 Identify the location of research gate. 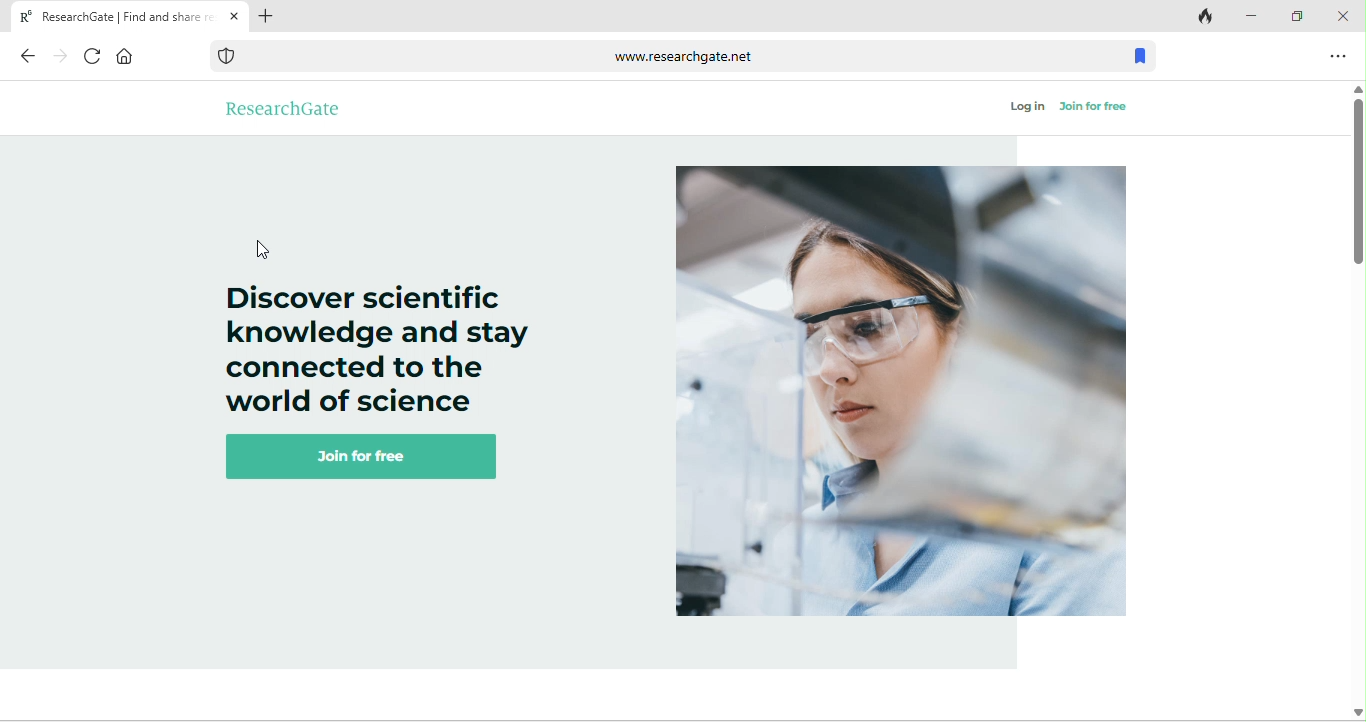
(277, 110).